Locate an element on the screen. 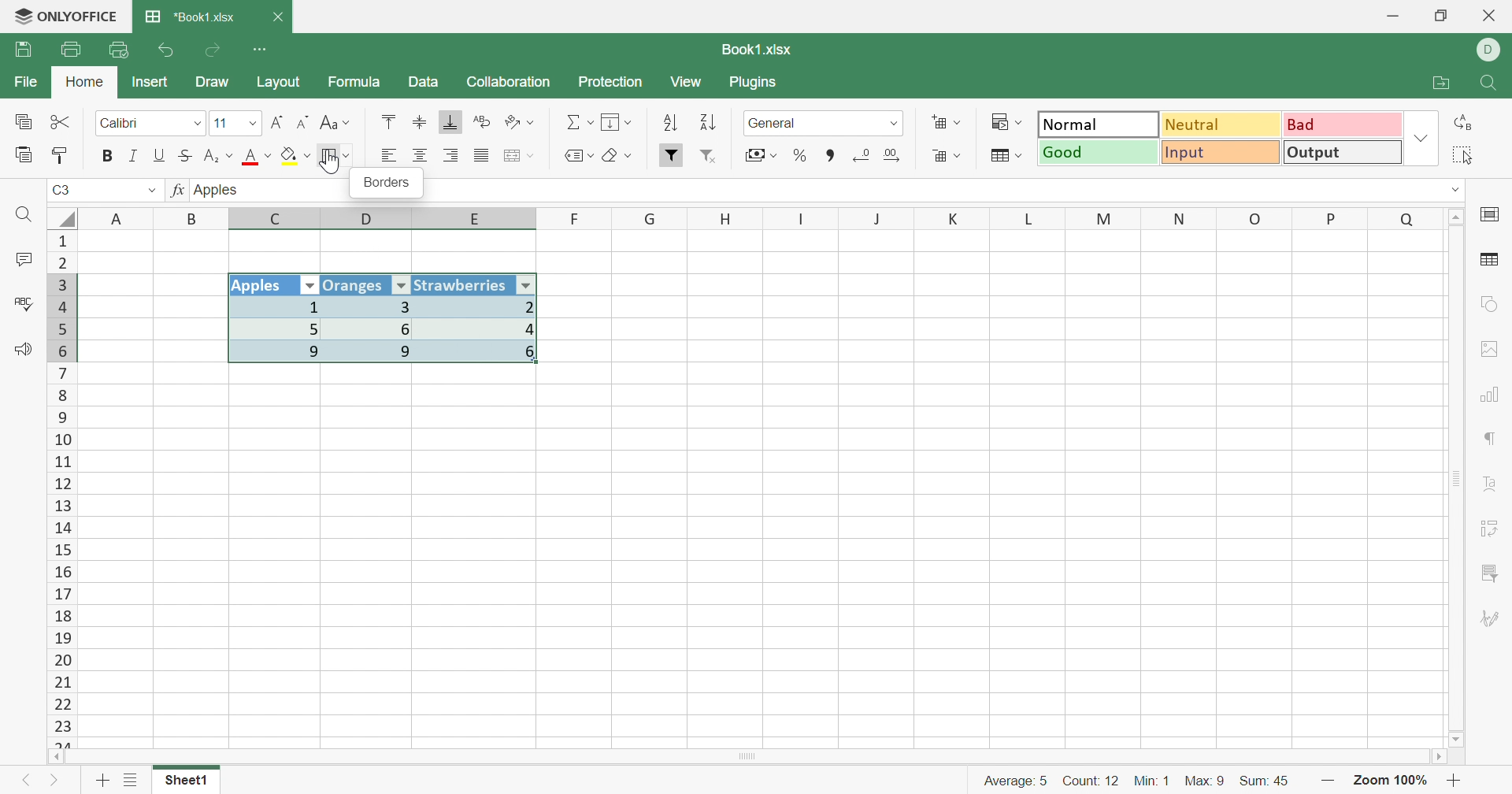 Image resolution: width=1512 pixels, height=794 pixels. Restore Down is located at coordinates (1443, 16).